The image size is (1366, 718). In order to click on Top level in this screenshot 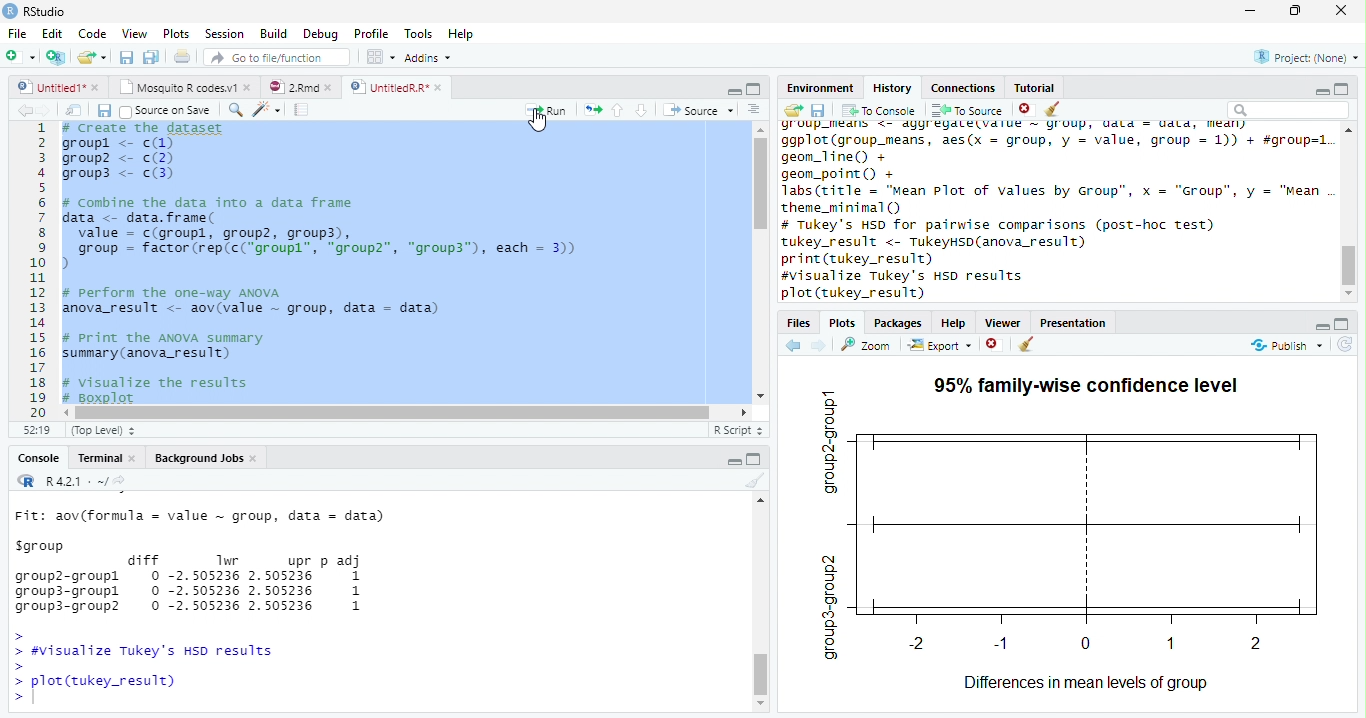, I will do `click(106, 431)`.